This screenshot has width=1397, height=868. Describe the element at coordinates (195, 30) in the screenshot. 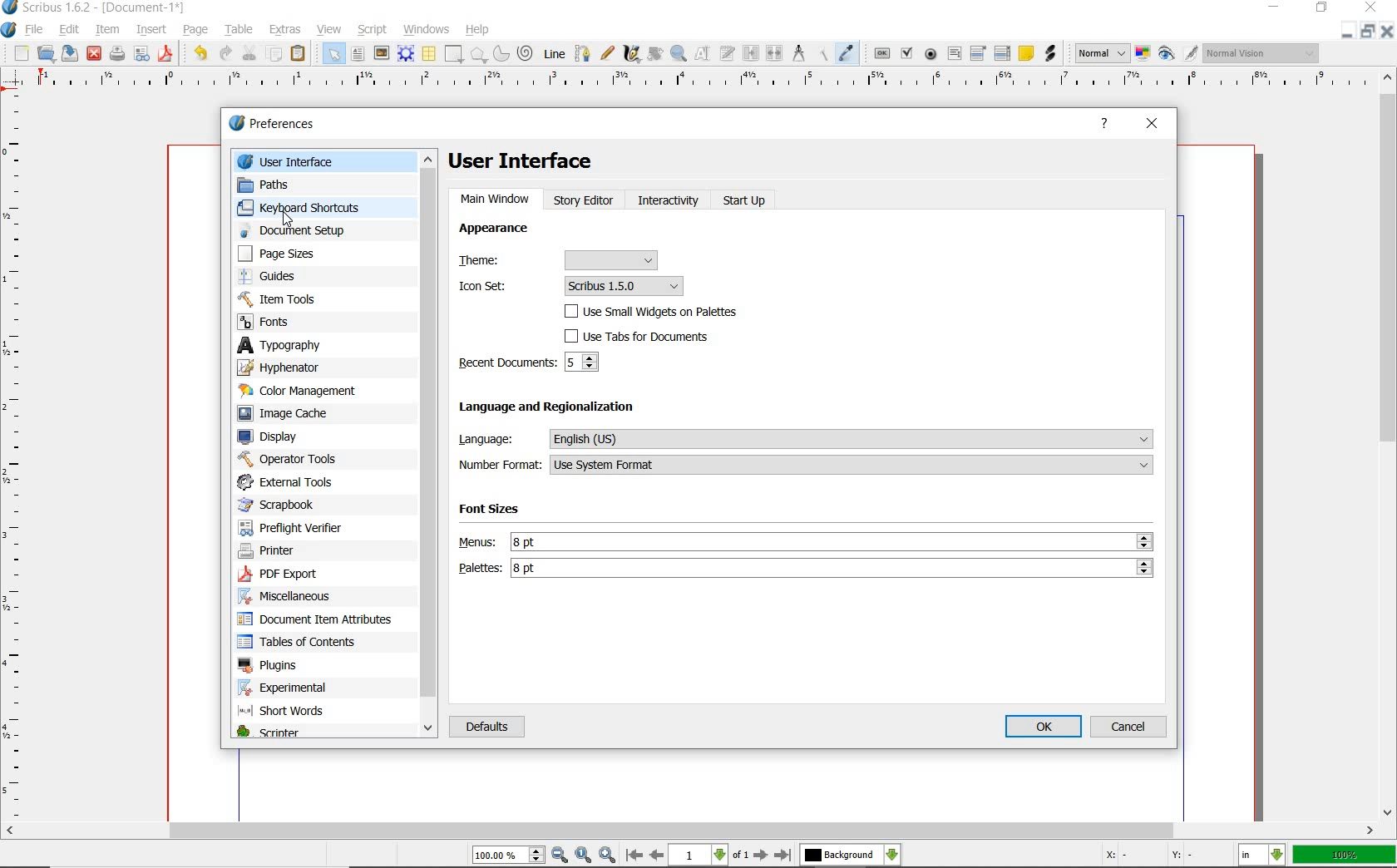

I see `page` at that location.